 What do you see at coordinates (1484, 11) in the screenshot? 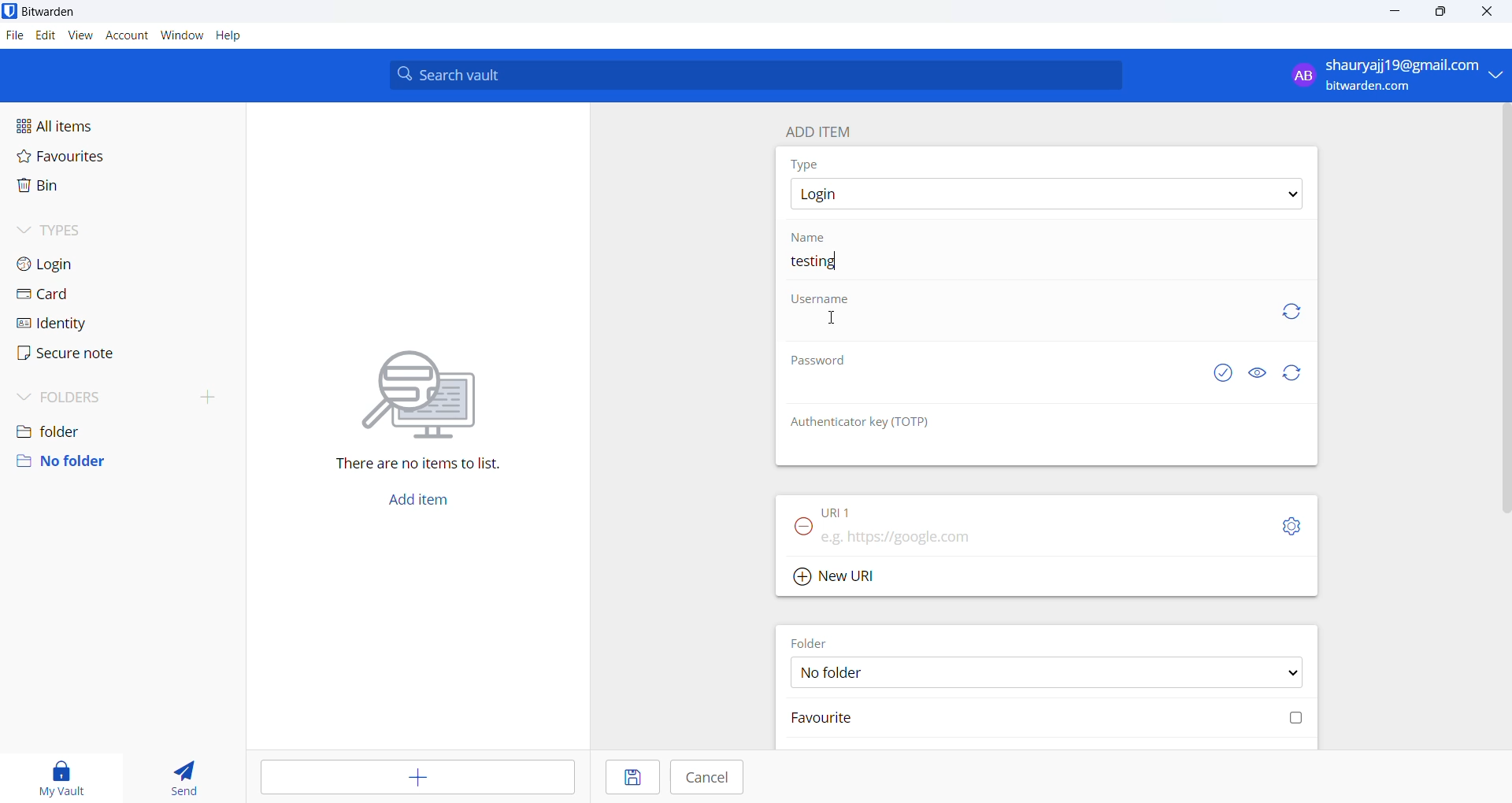
I see `close` at bounding box center [1484, 11].